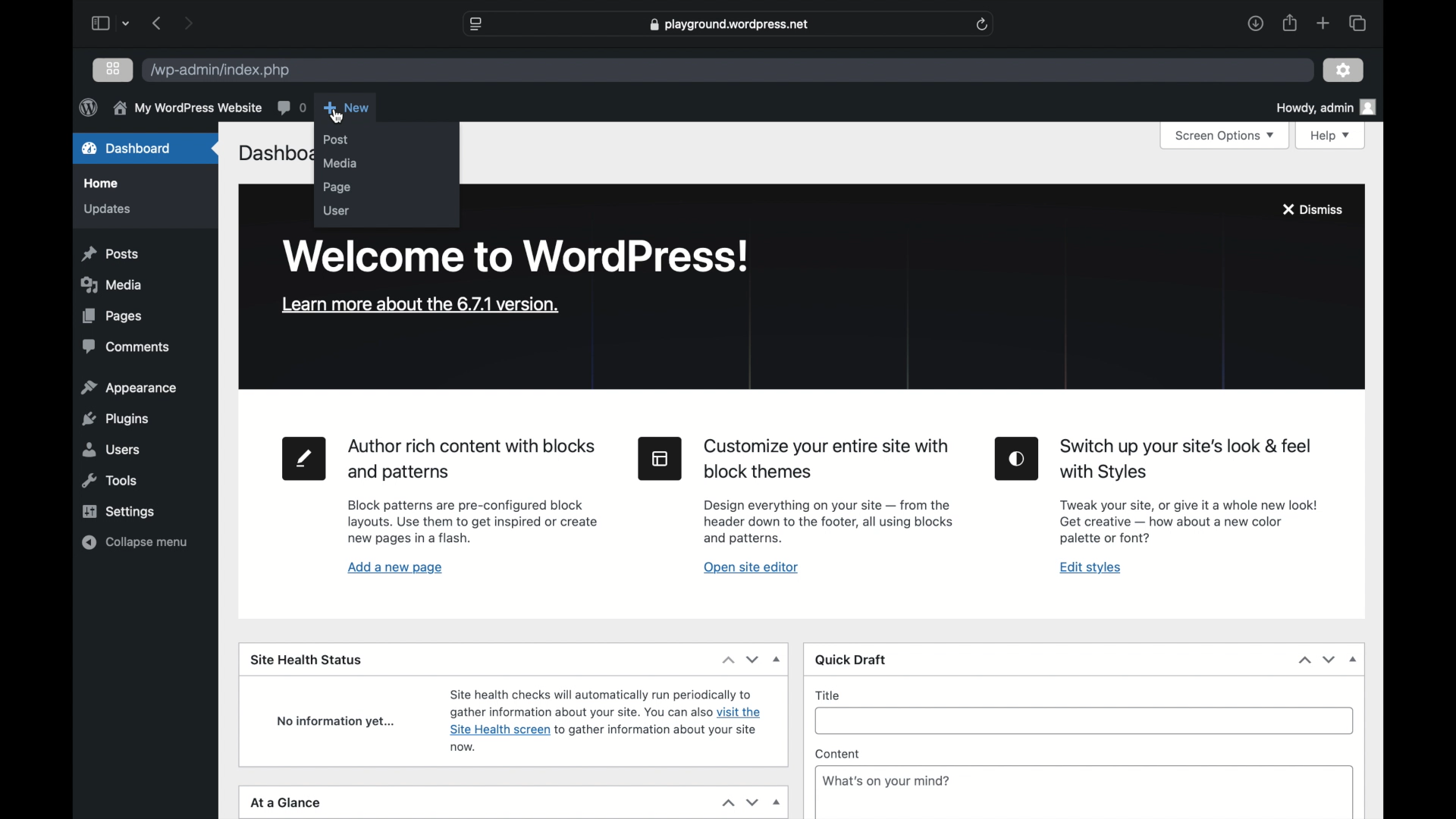 The width and height of the screenshot is (1456, 819). Describe the element at coordinates (108, 209) in the screenshot. I see `updates` at that location.